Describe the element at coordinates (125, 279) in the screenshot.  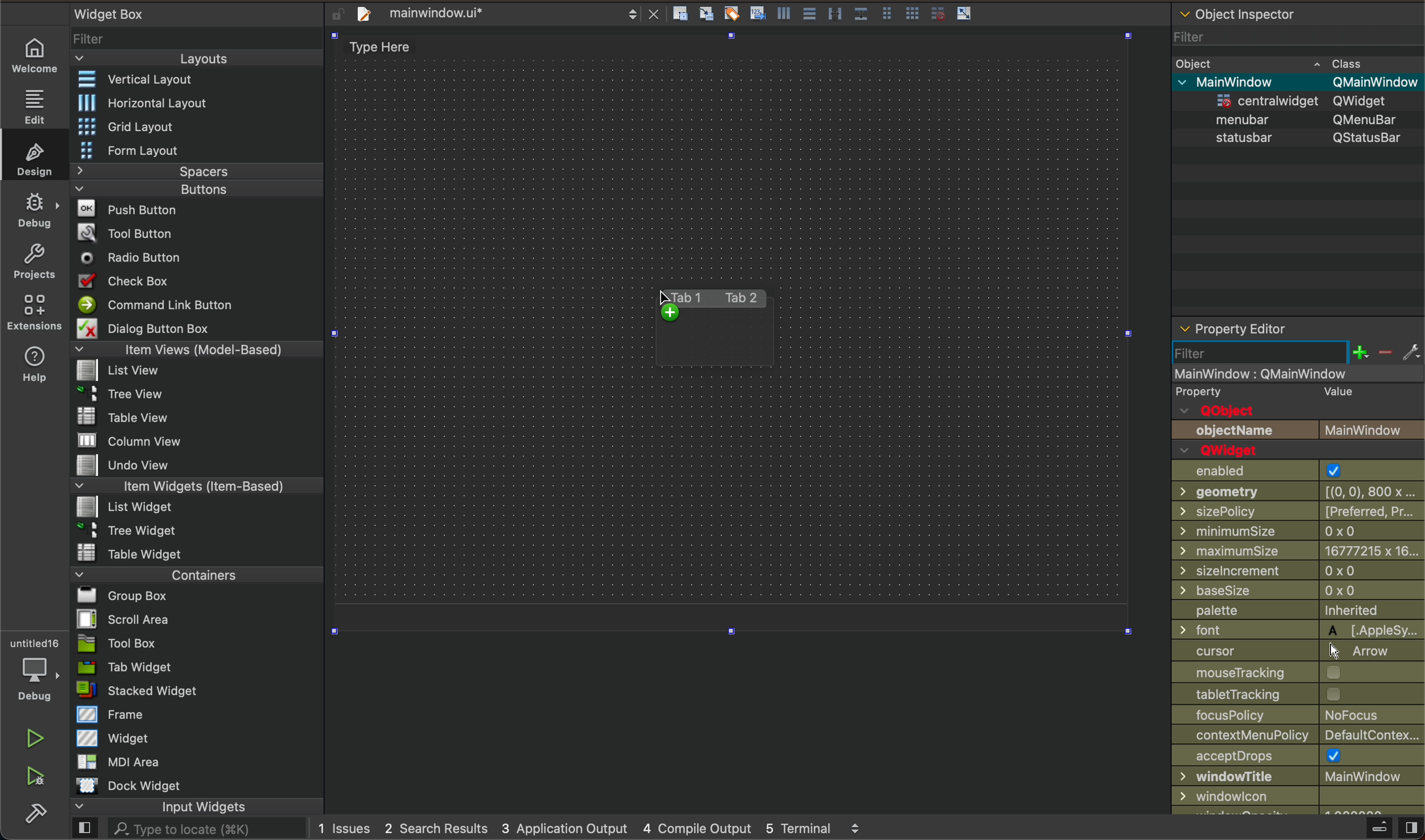
I see `Check Box` at that location.